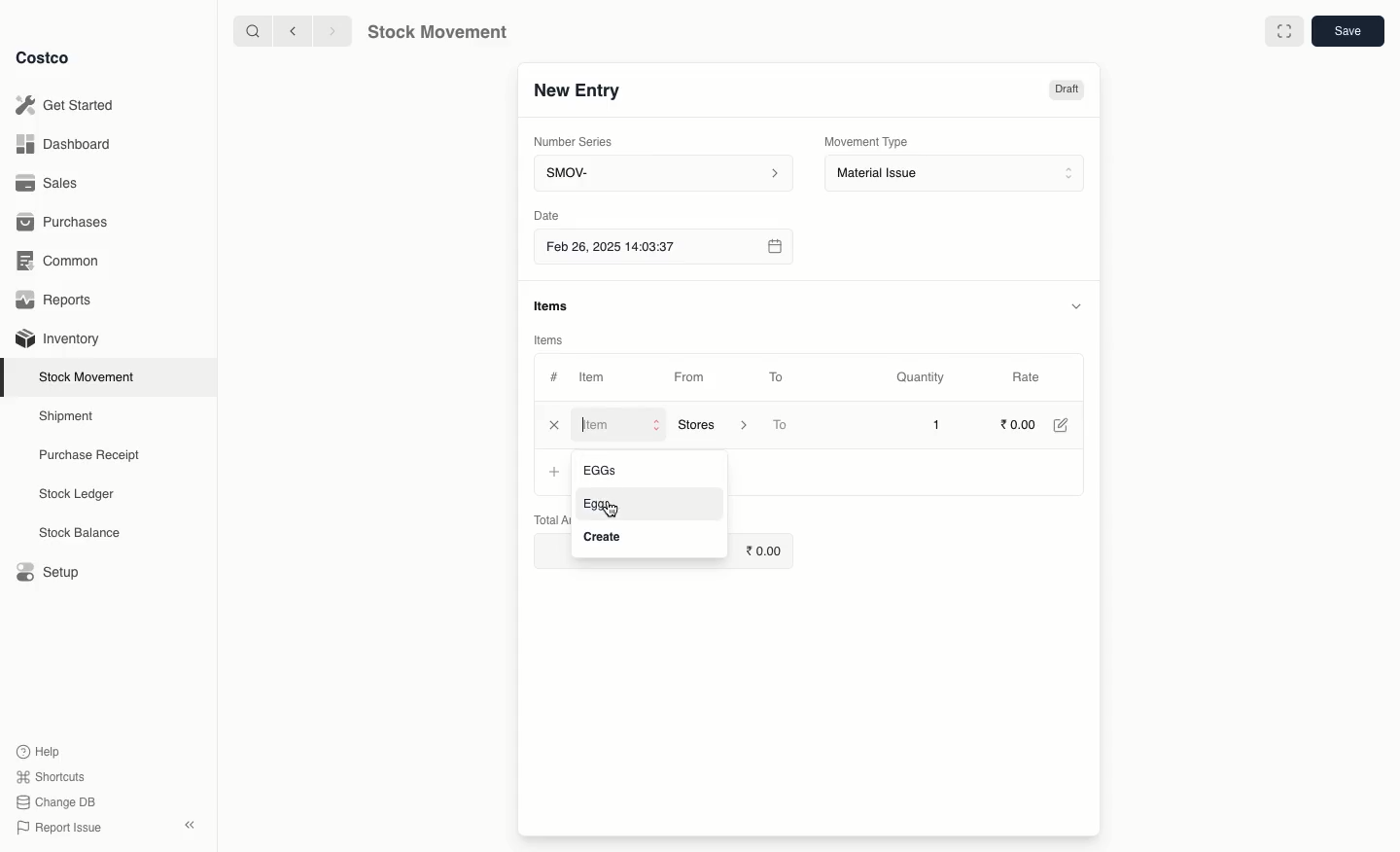 This screenshot has height=852, width=1400. What do you see at coordinates (1066, 91) in the screenshot?
I see `Draft` at bounding box center [1066, 91].